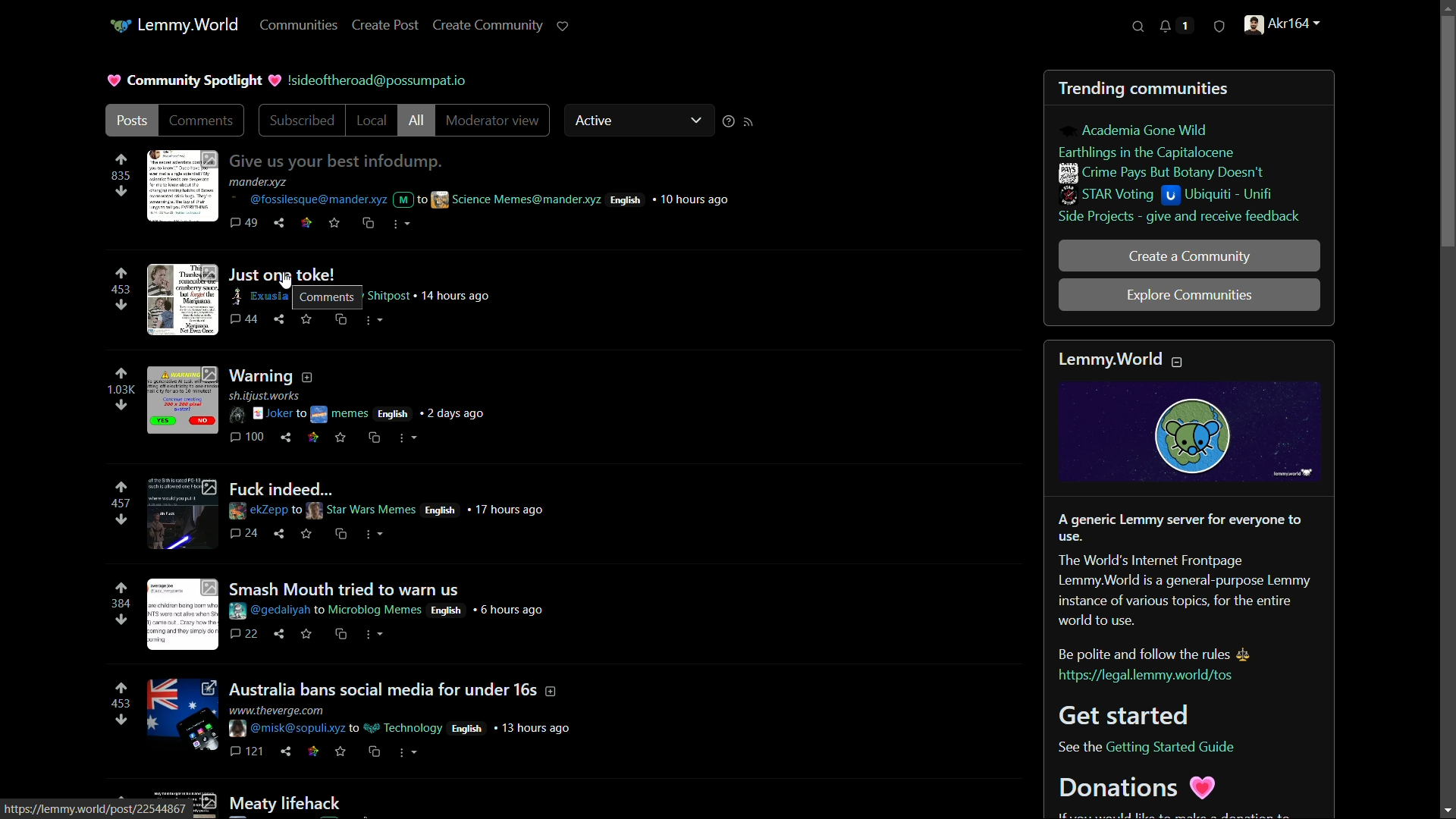 Image resolution: width=1456 pixels, height=819 pixels. What do you see at coordinates (518, 200) in the screenshot?
I see `Science Memes@mander.xyz` at bounding box center [518, 200].